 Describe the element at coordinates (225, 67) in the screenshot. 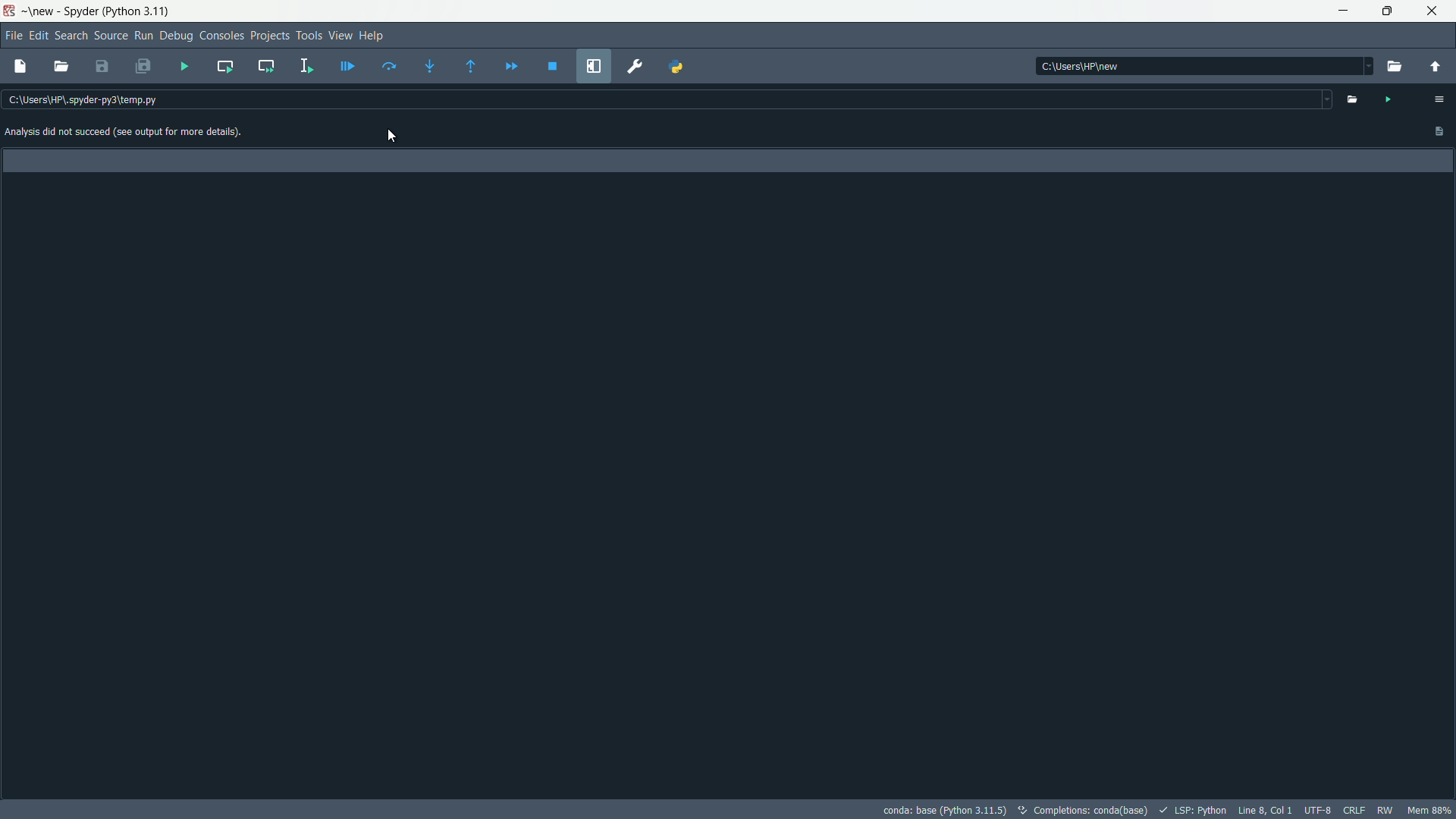

I see `run current cell` at that location.